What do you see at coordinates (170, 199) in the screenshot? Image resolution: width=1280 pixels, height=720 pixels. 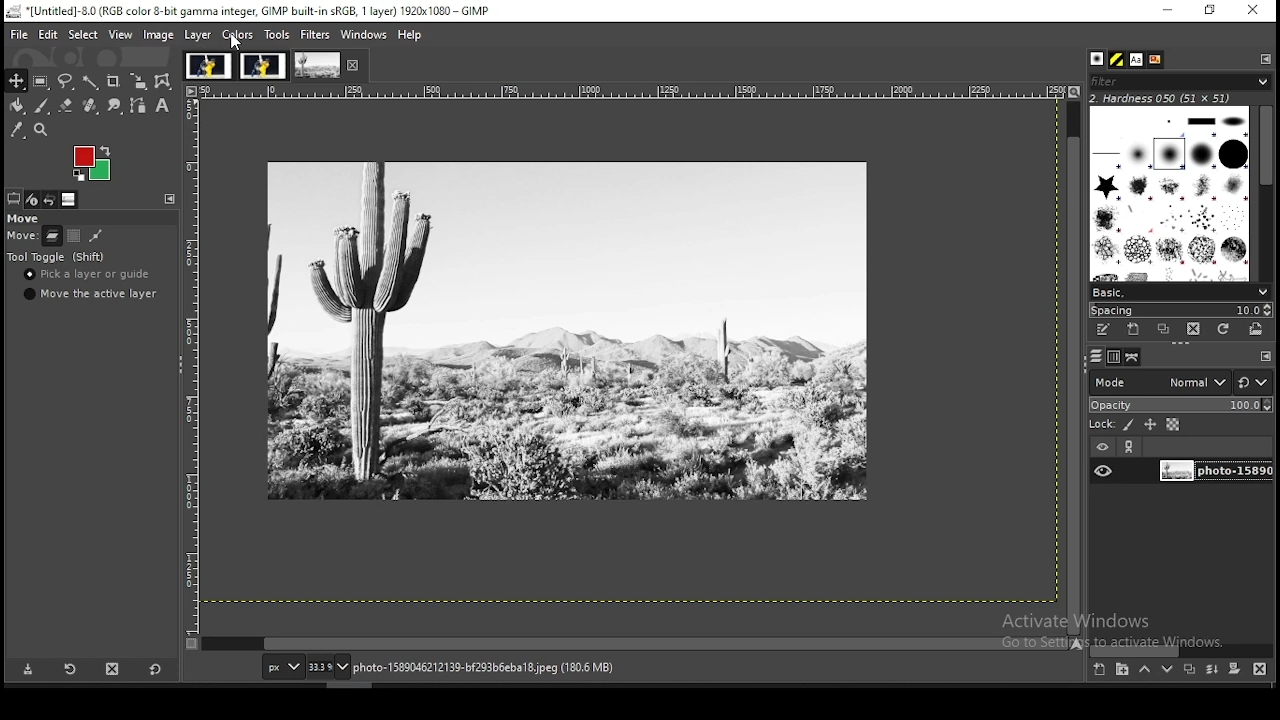 I see `configure this panel` at bounding box center [170, 199].